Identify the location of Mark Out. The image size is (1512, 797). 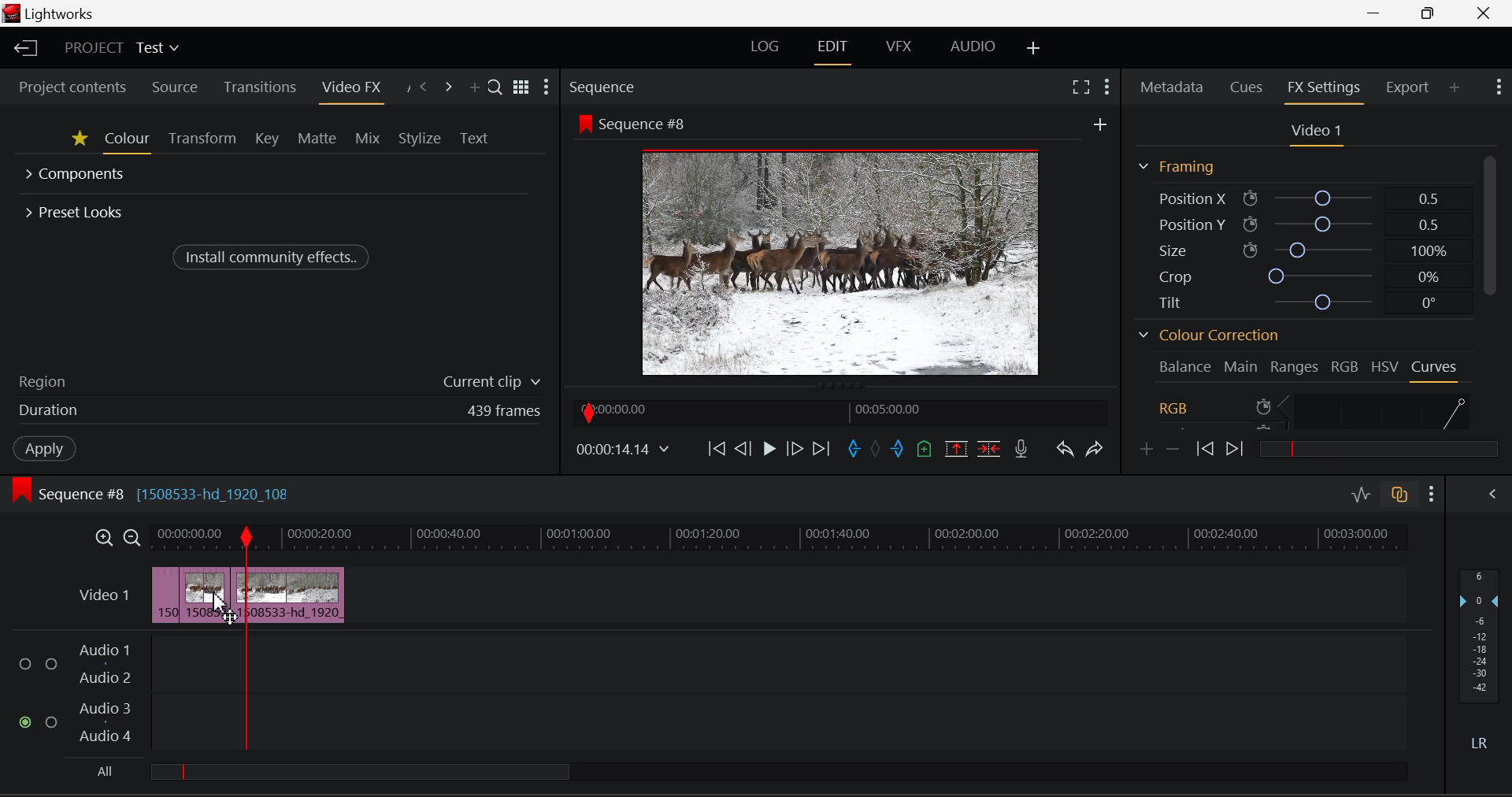
(898, 449).